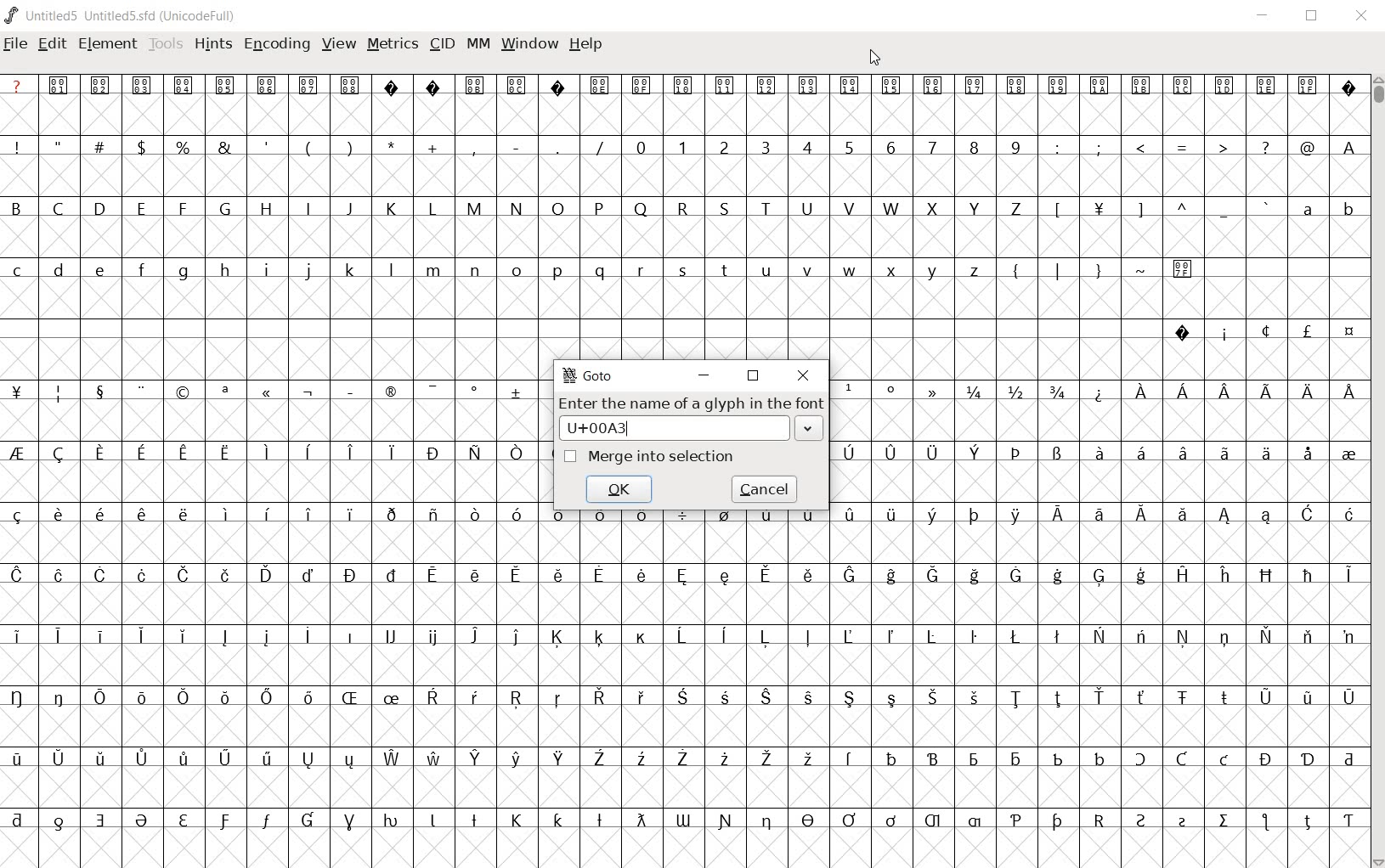 The image size is (1385, 868). What do you see at coordinates (1015, 270) in the screenshot?
I see `{` at bounding box center [1015, 270].